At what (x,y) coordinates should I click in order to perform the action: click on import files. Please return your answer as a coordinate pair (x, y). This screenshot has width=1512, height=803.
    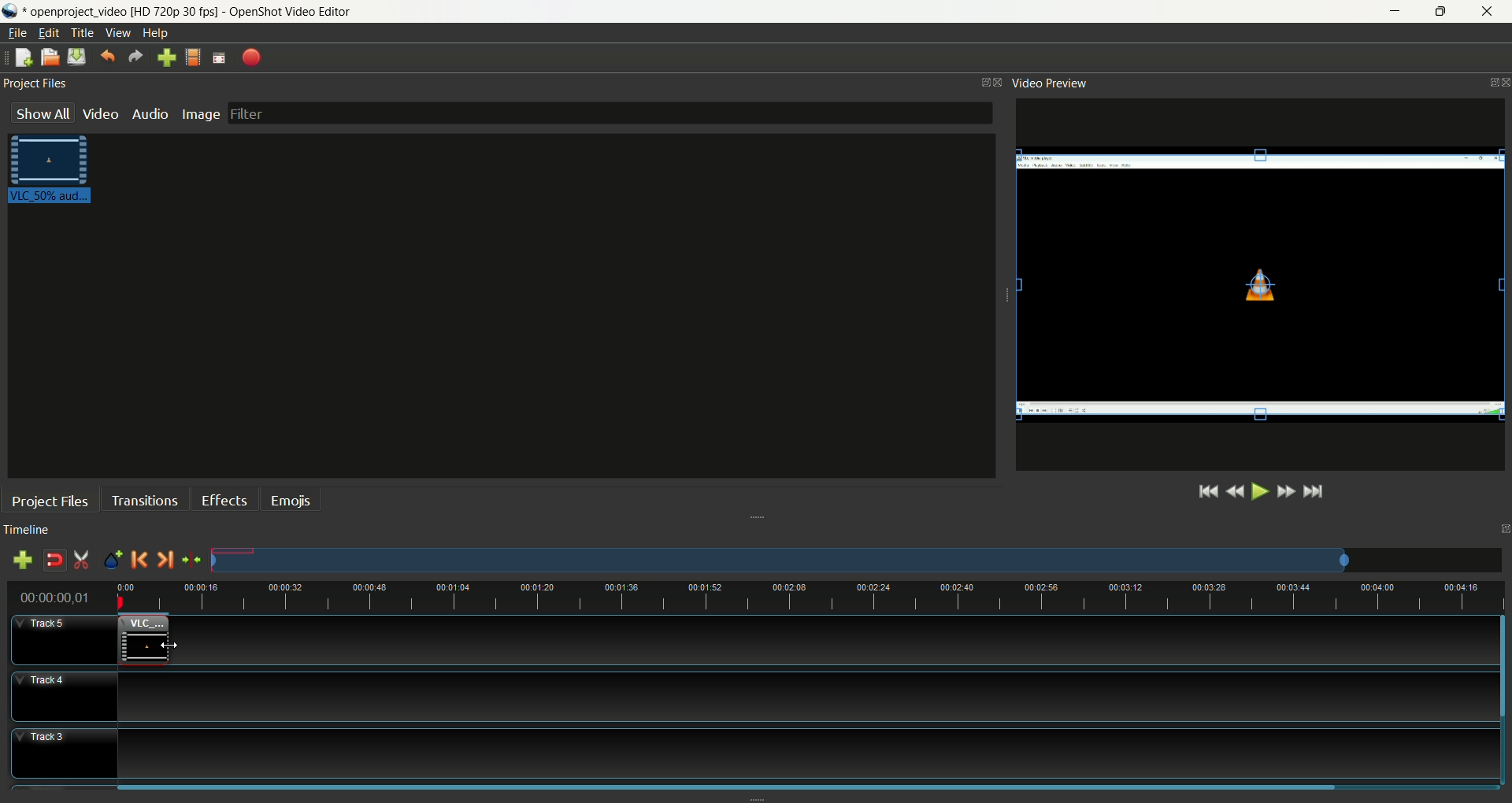
    Looking at the image, I should click on (167, 57).